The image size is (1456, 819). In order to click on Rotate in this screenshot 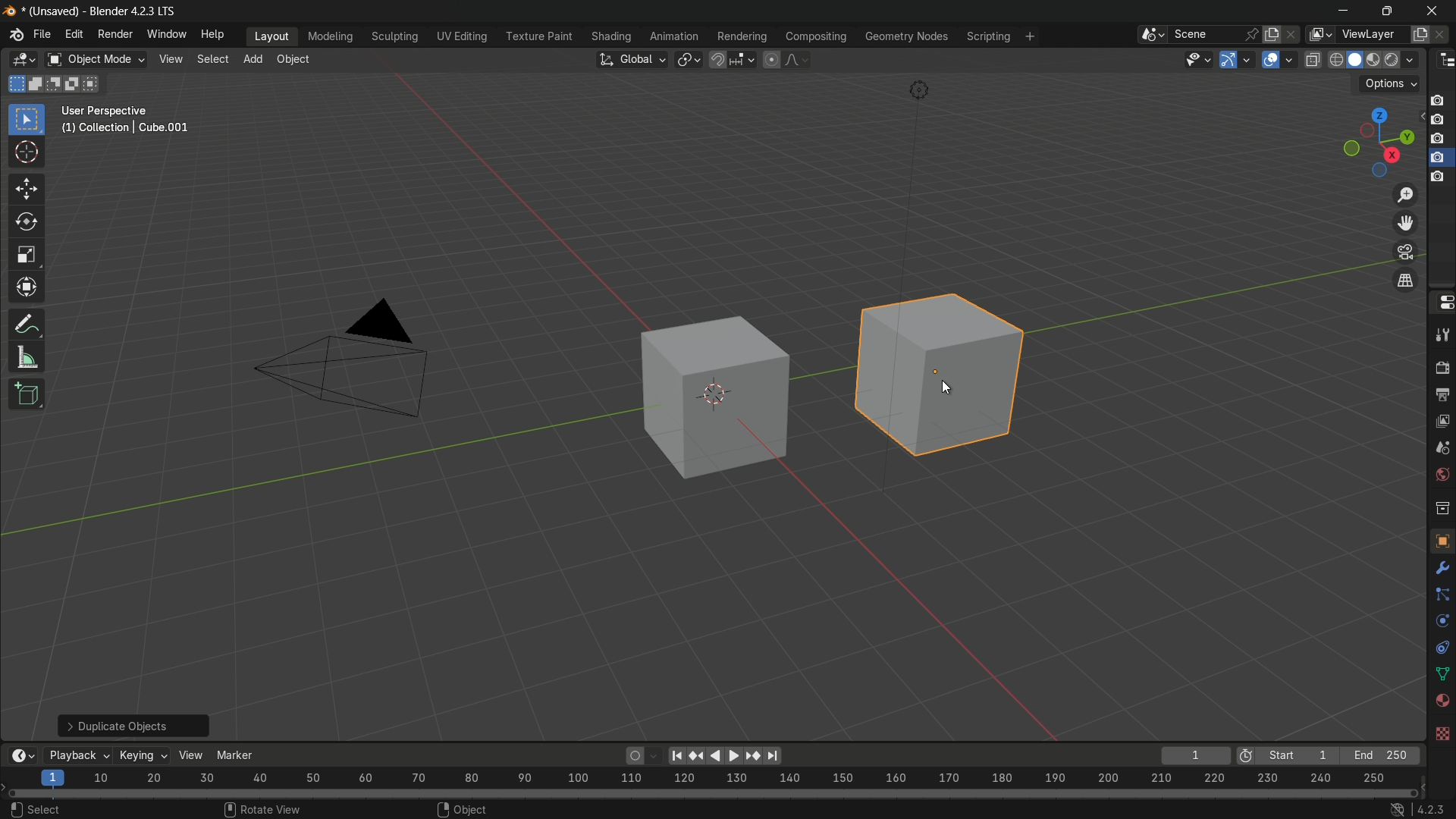, I will do `click(672, 808)`.